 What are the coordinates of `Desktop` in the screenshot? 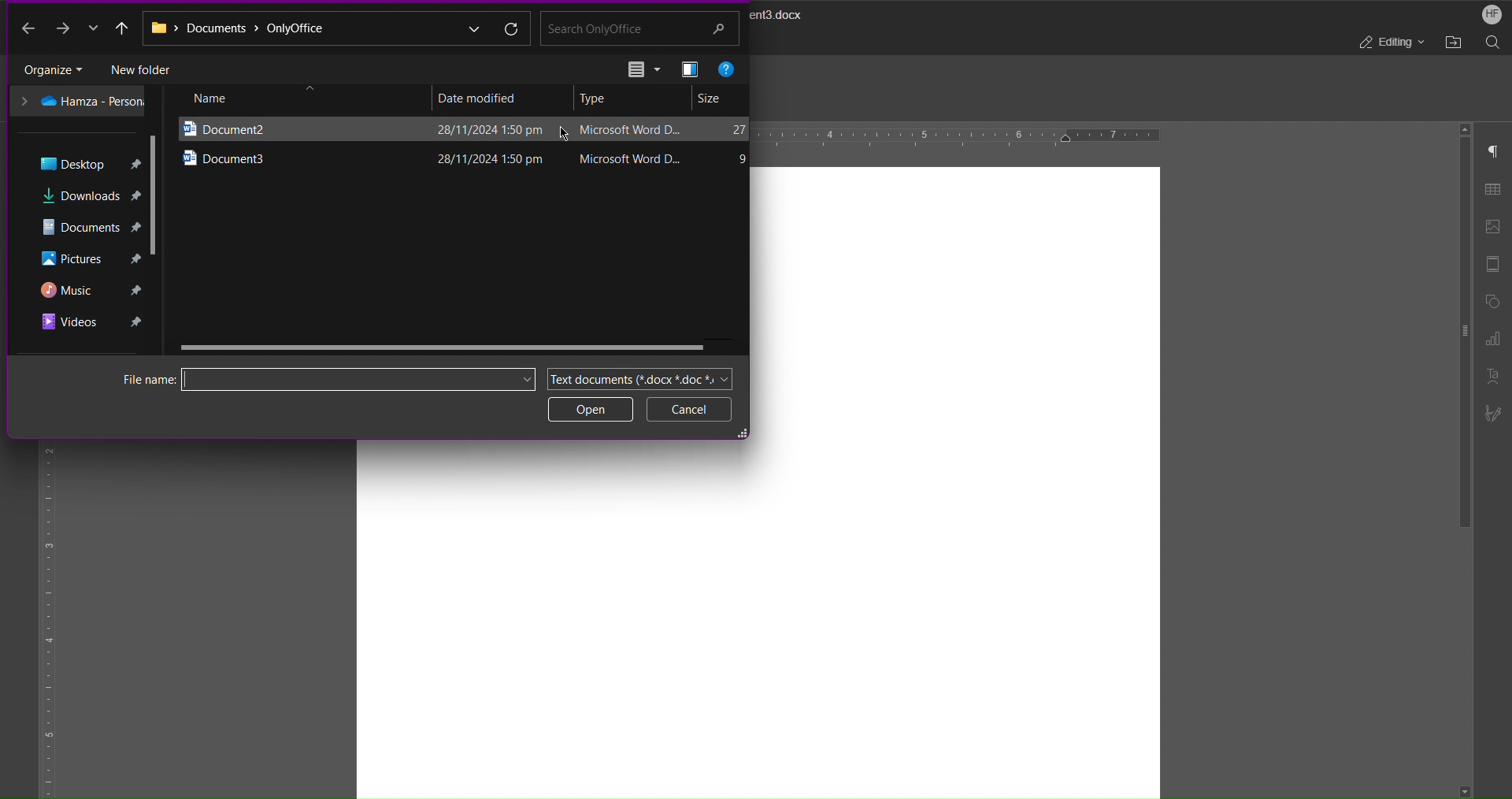 It's located at (91, 161).